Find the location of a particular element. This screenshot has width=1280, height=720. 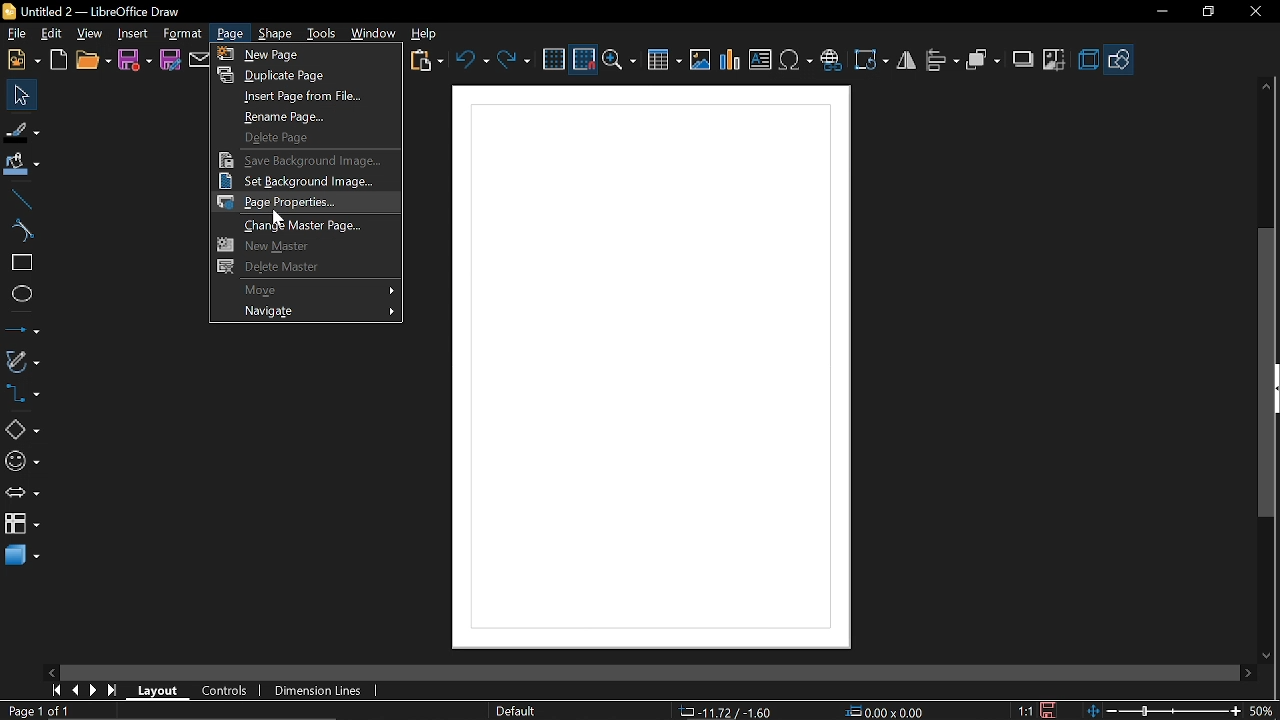

Go to first page is located at coordinates (58, 691).